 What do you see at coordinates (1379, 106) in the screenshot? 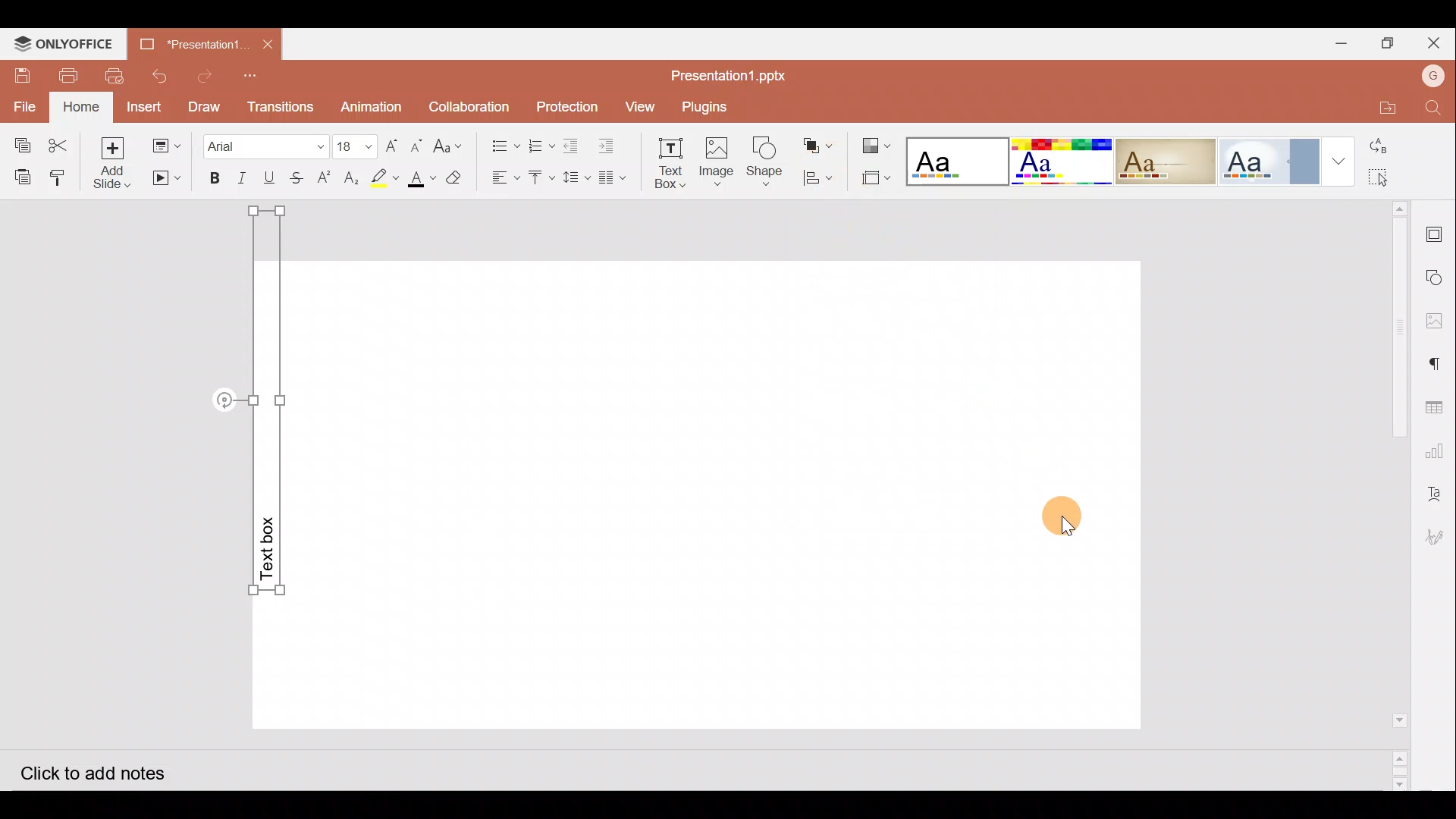
I see `Open file location` at bounding box center [1379, 106].